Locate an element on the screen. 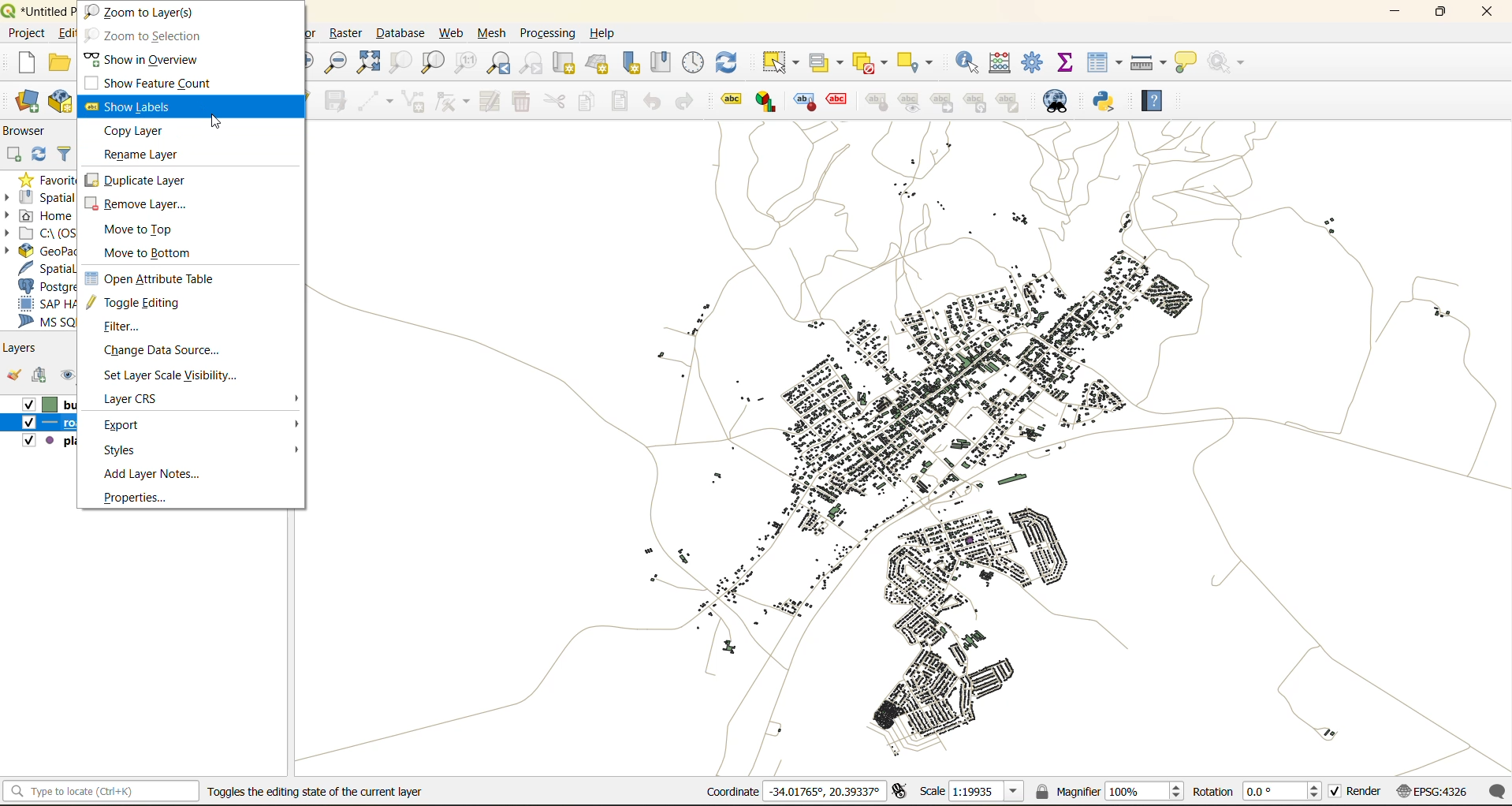 This screenshot has height=806, width=1512. copy layer is located at coordinates (143, 131).